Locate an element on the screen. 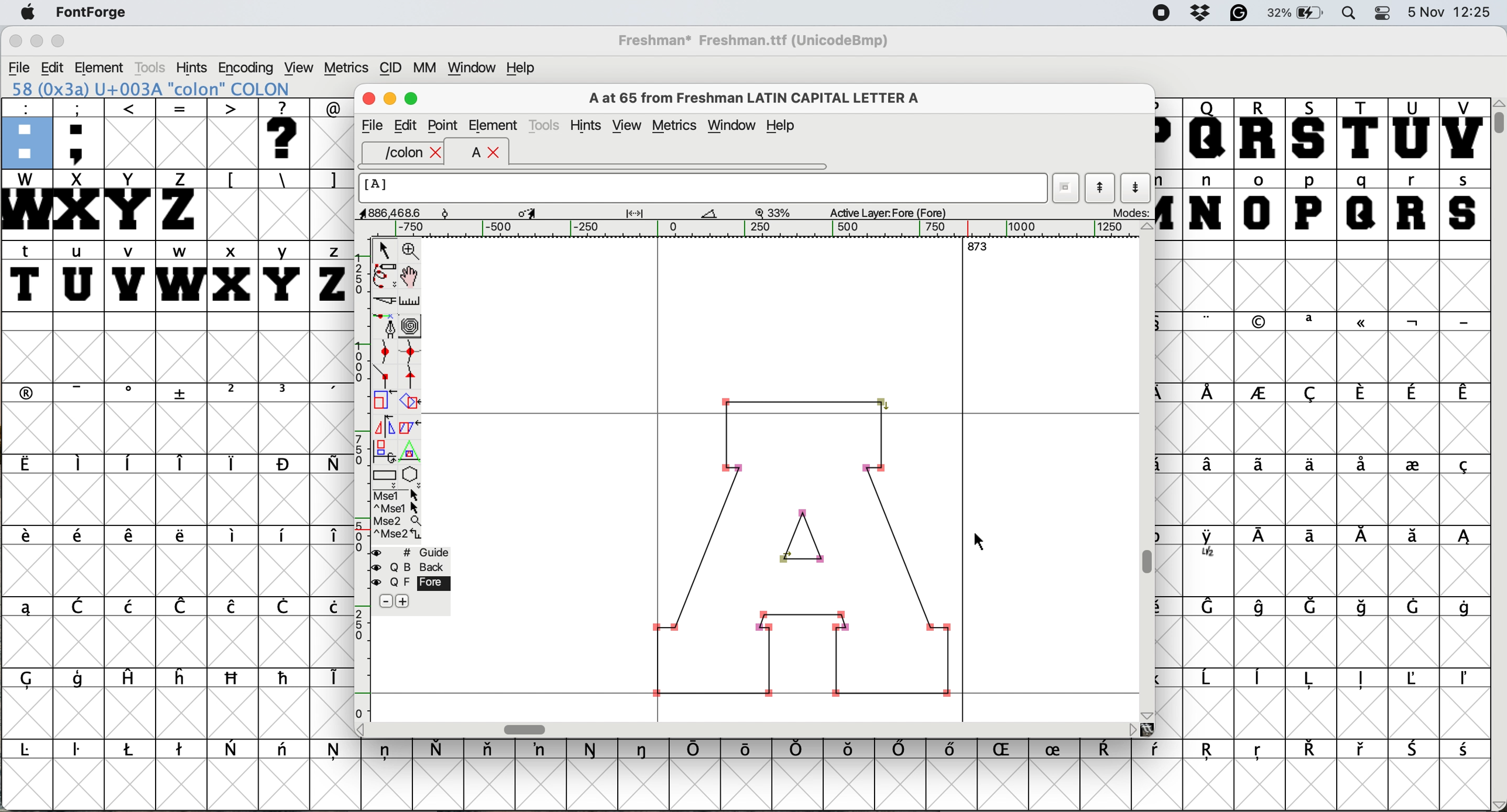 This screenshot has height=812, width=1507. guide is located at coordinates (408, 551).